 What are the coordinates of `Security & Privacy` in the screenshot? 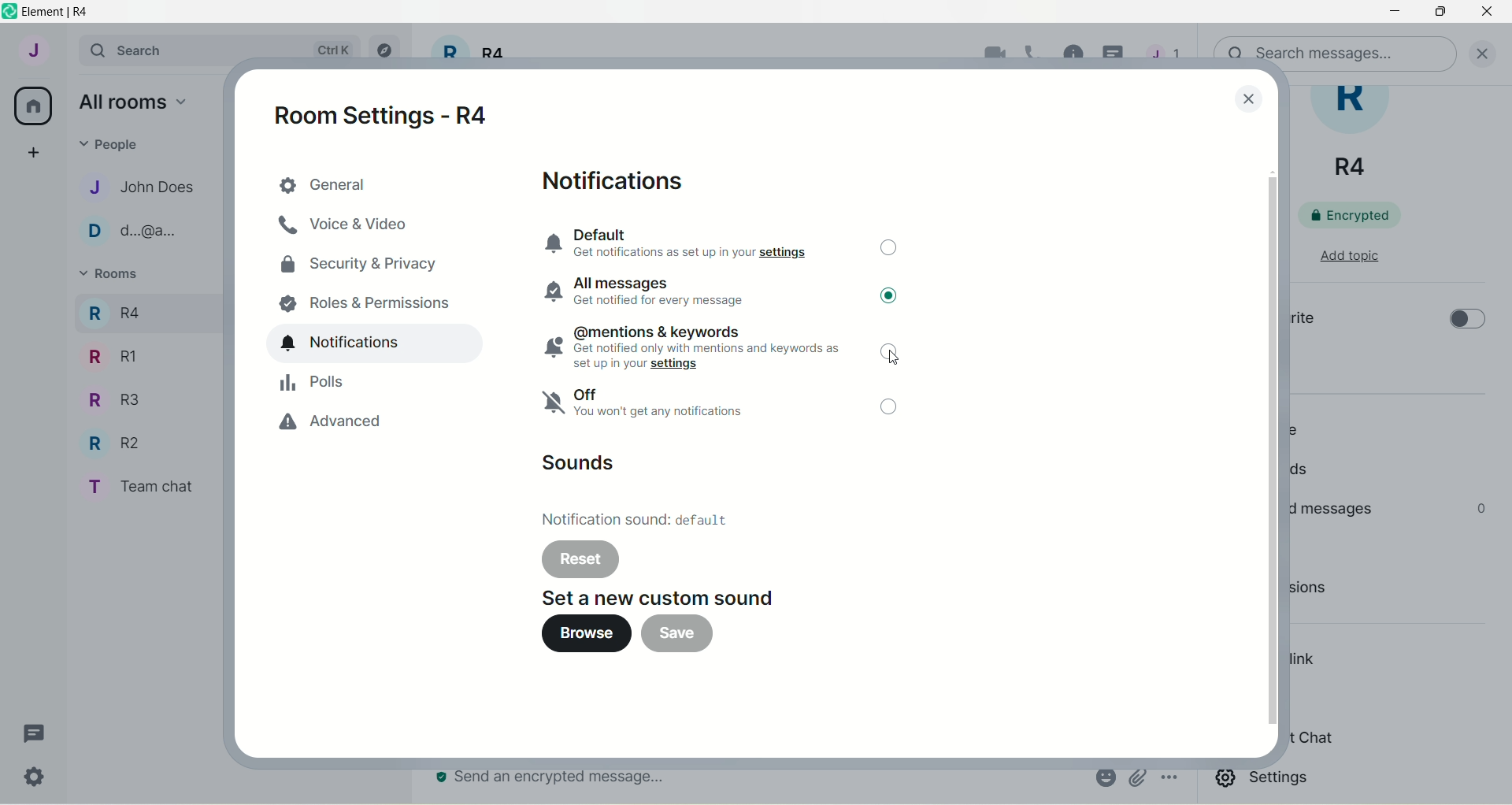 It's located at (368, 264).